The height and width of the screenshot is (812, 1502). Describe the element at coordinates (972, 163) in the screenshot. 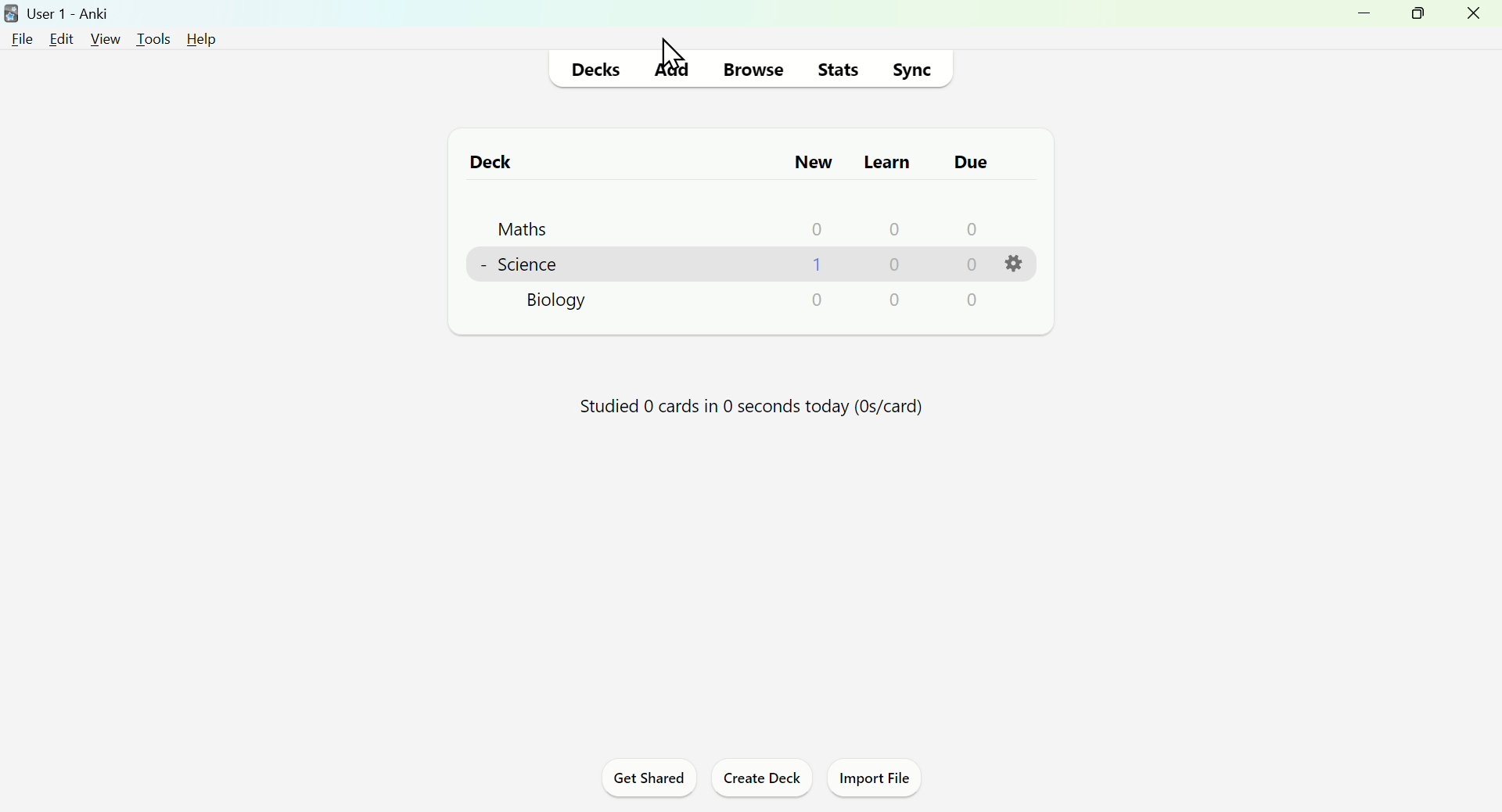

I see `due` at that location.